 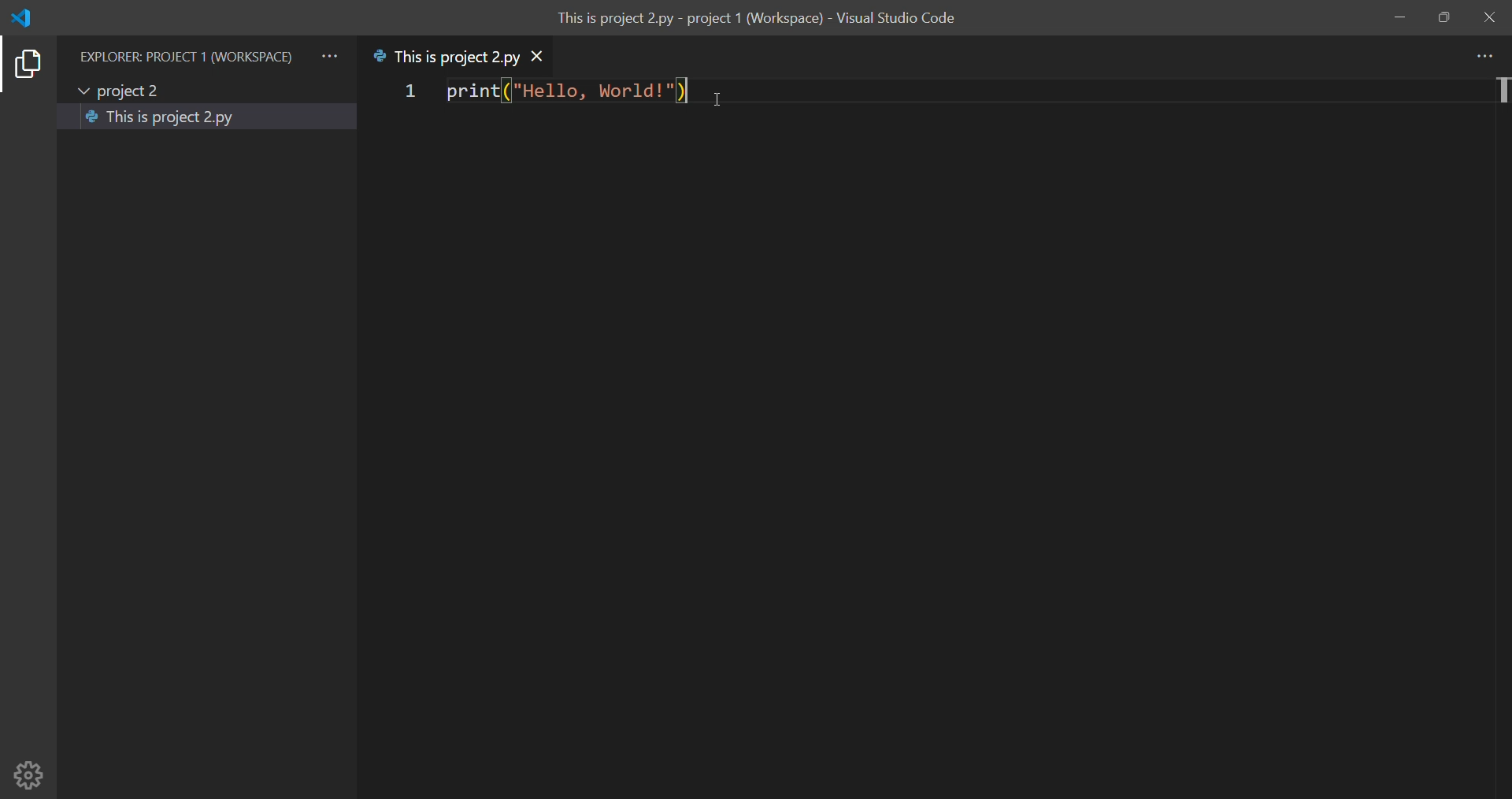 I want to click on more, so click(x=1484, y=55).